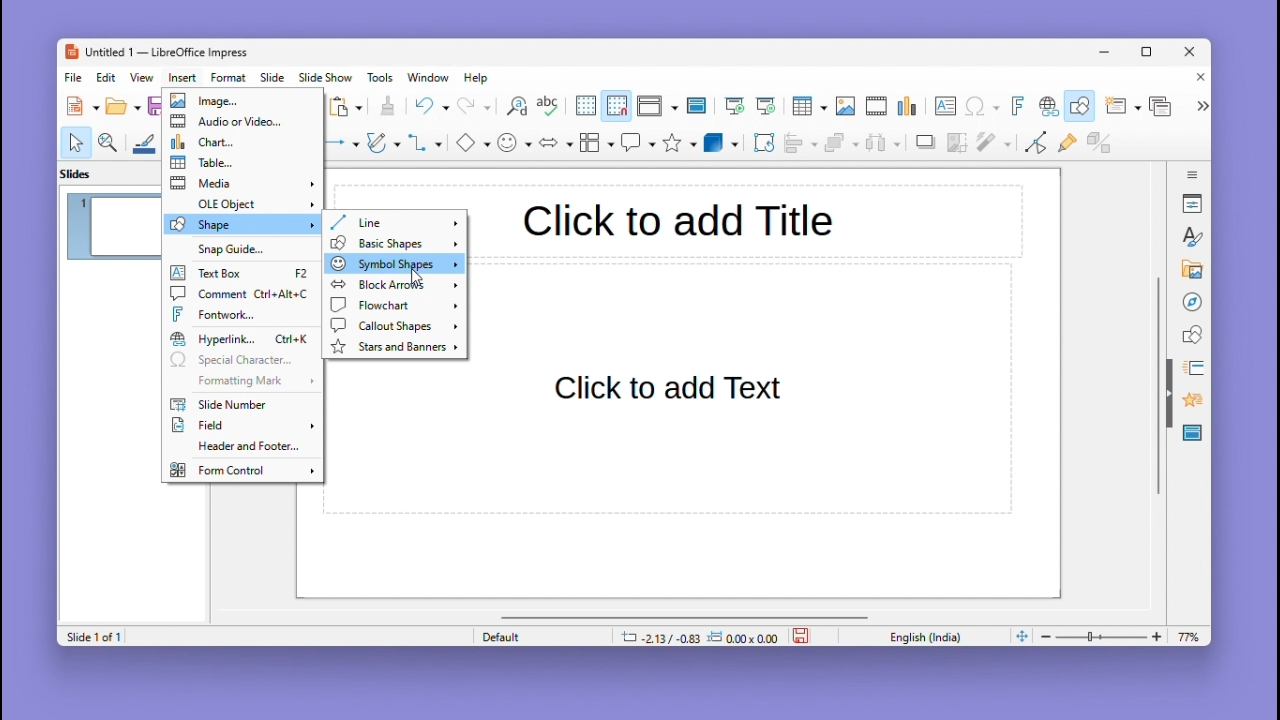  Describe the element at coordinates (239, 380) in the screenshot. I see `Formatting` at that location.